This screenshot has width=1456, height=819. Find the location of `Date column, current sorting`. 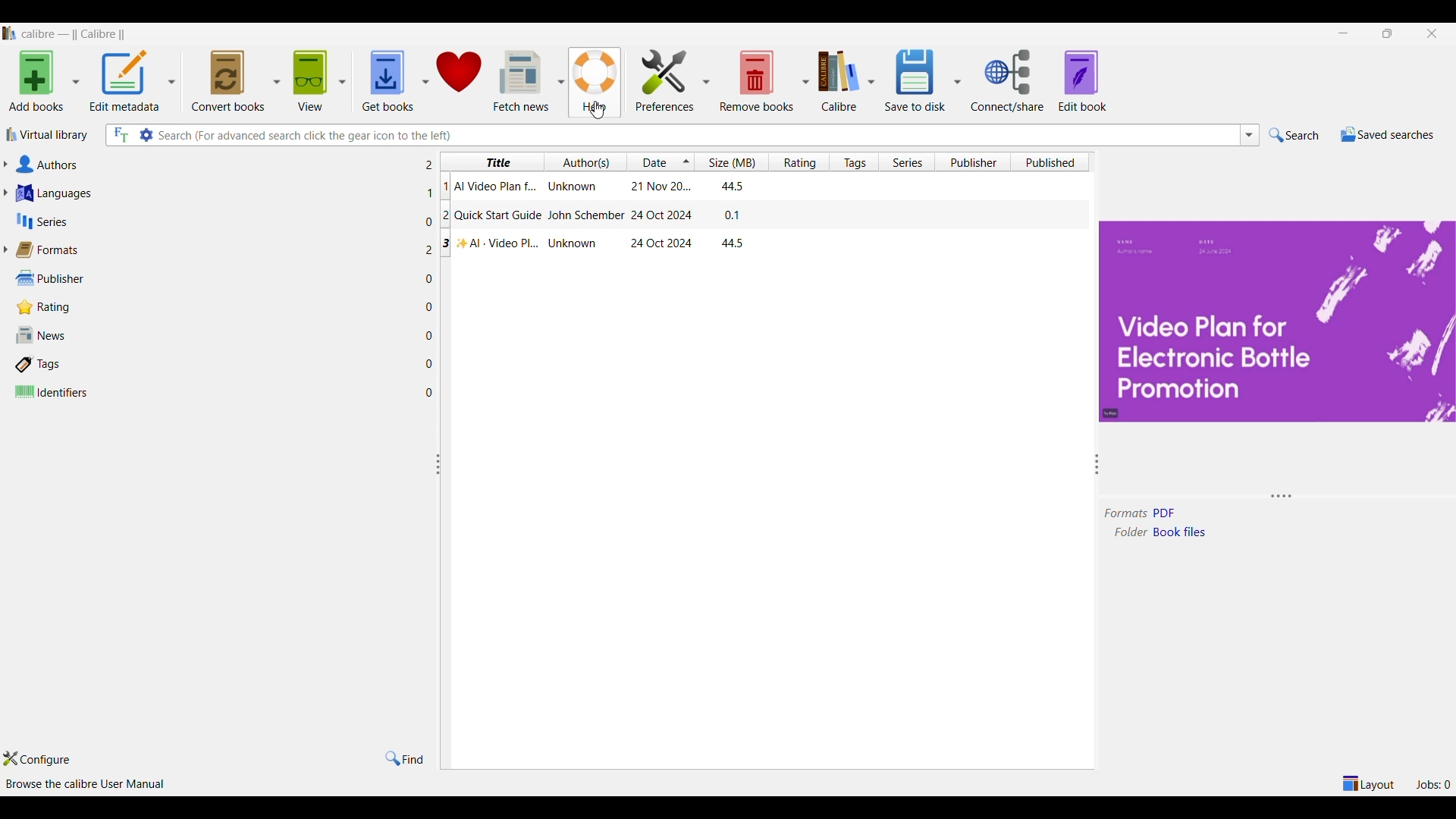

Date column, current sorting is located at coordinates (661, 162).